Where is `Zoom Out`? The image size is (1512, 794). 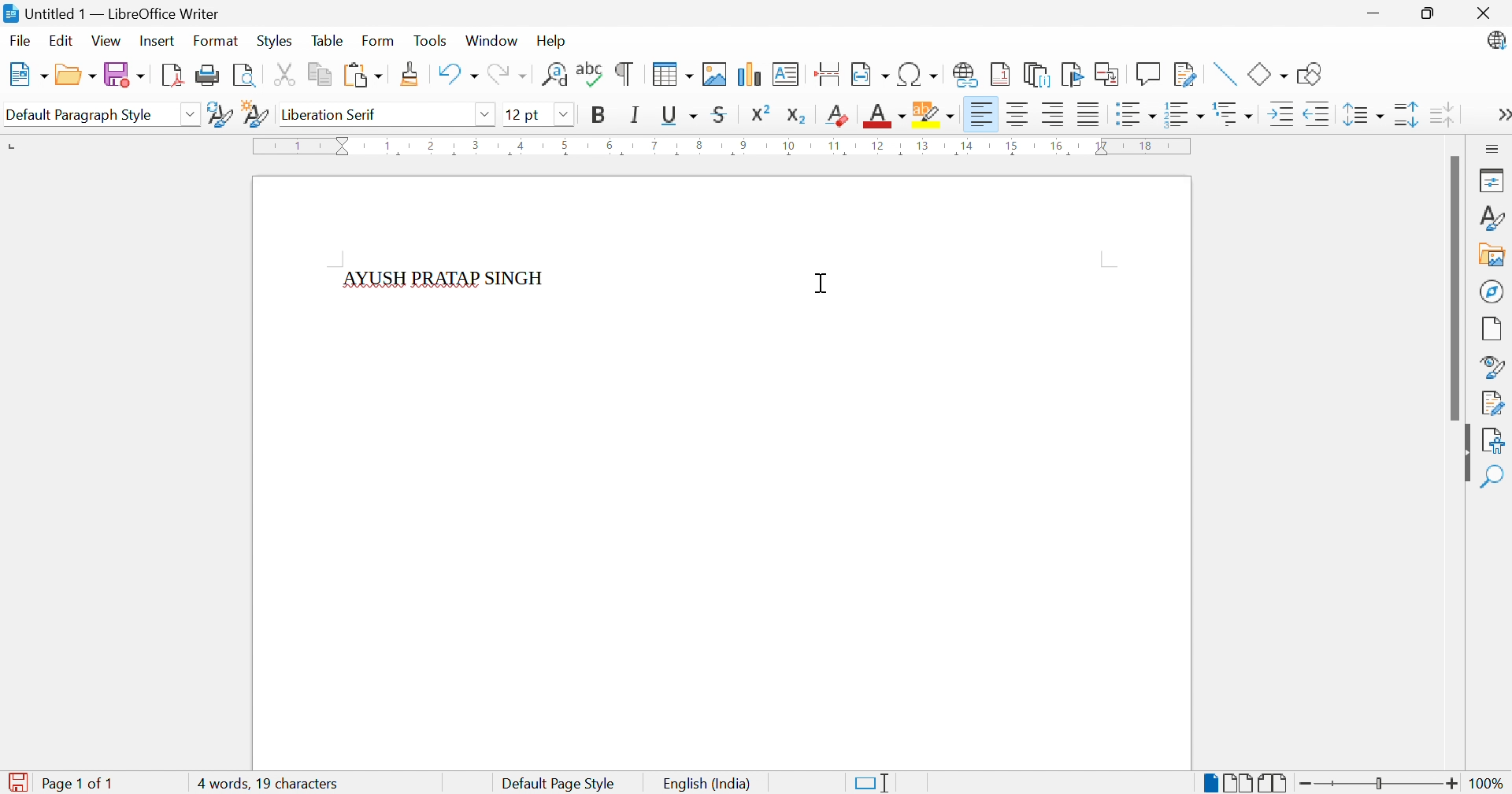
Zoom Out is located at coordinates (1306, 782).